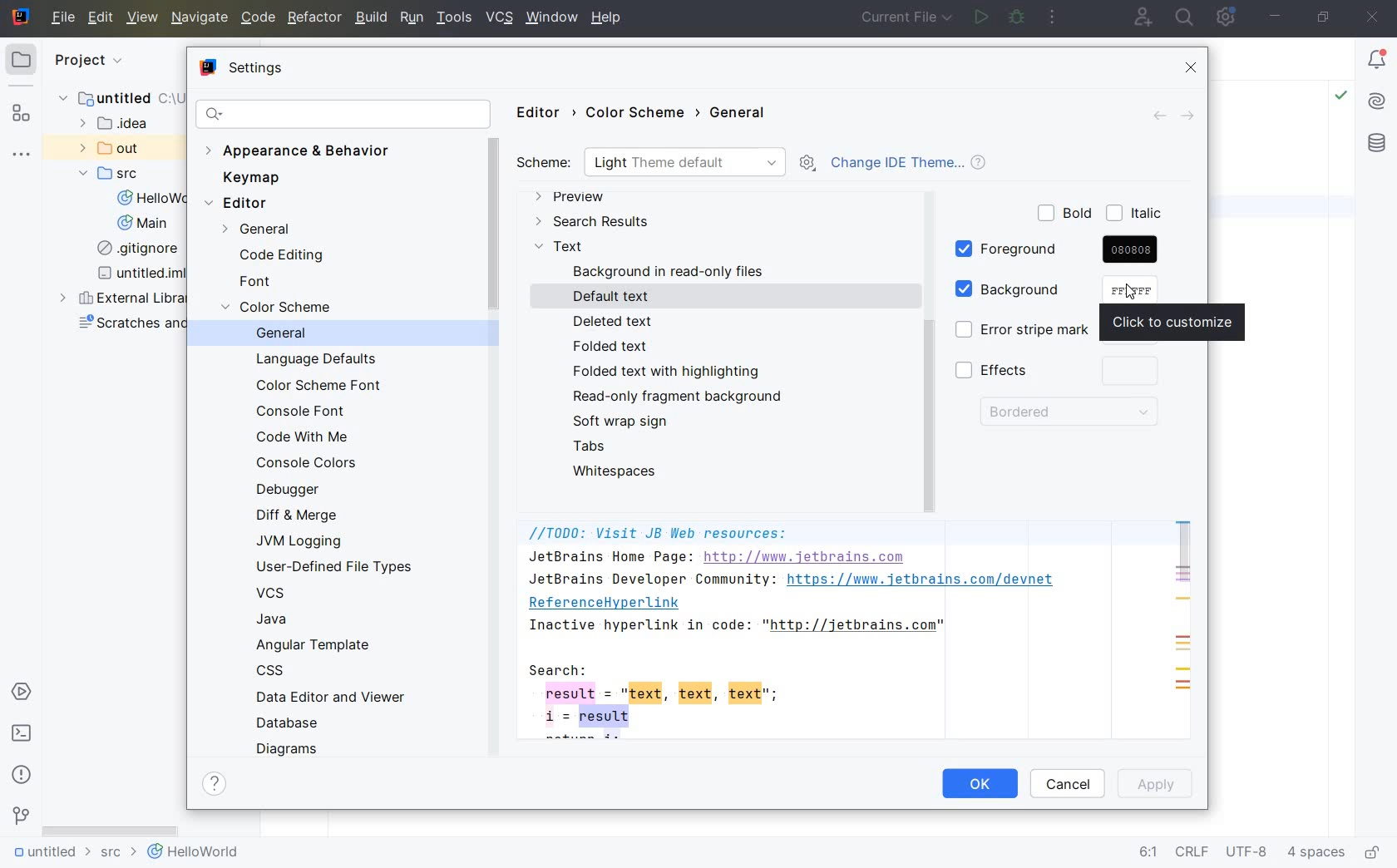  What do you see at coordinates (573, 199) in the screenshot?
I see `PREVIEW` at bounding box center [573, 199].